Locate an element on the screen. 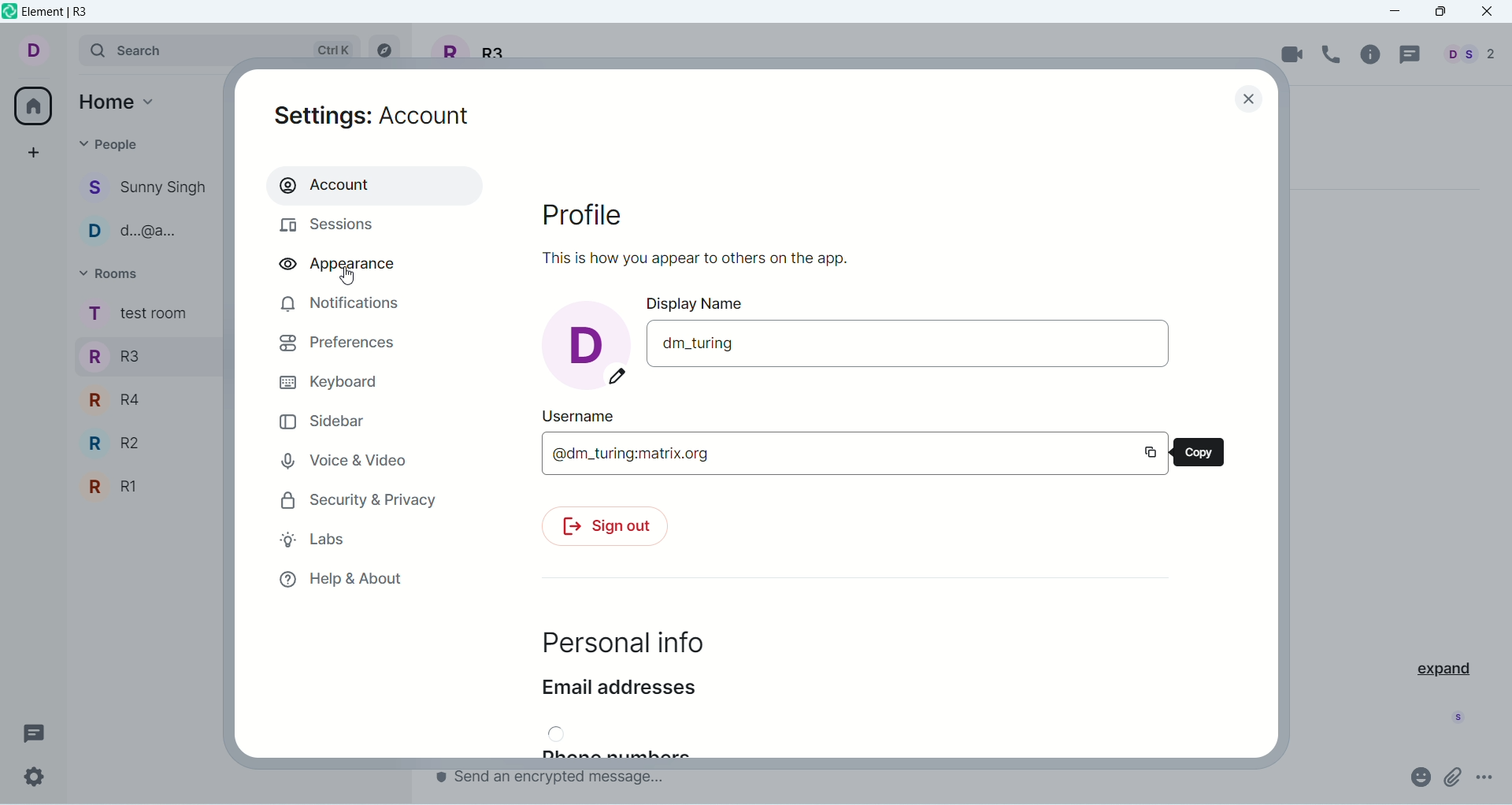 Image resolution: width=1512 pixels, height=805 pixels. home is located at coordinates (121, 100).